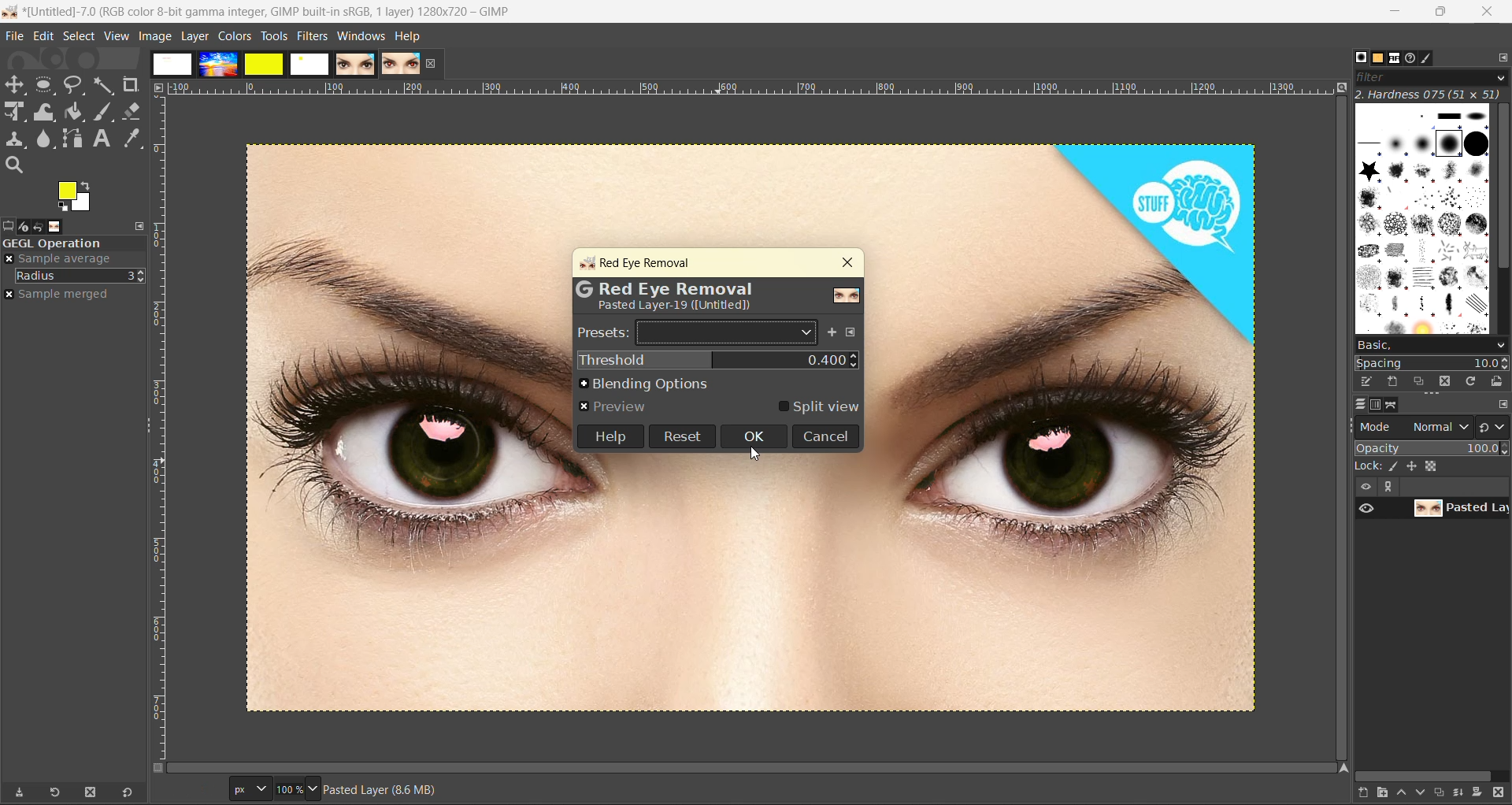 The width and height of the screenshot is (1512, 805). I want to click on split view, so click(817, 406).